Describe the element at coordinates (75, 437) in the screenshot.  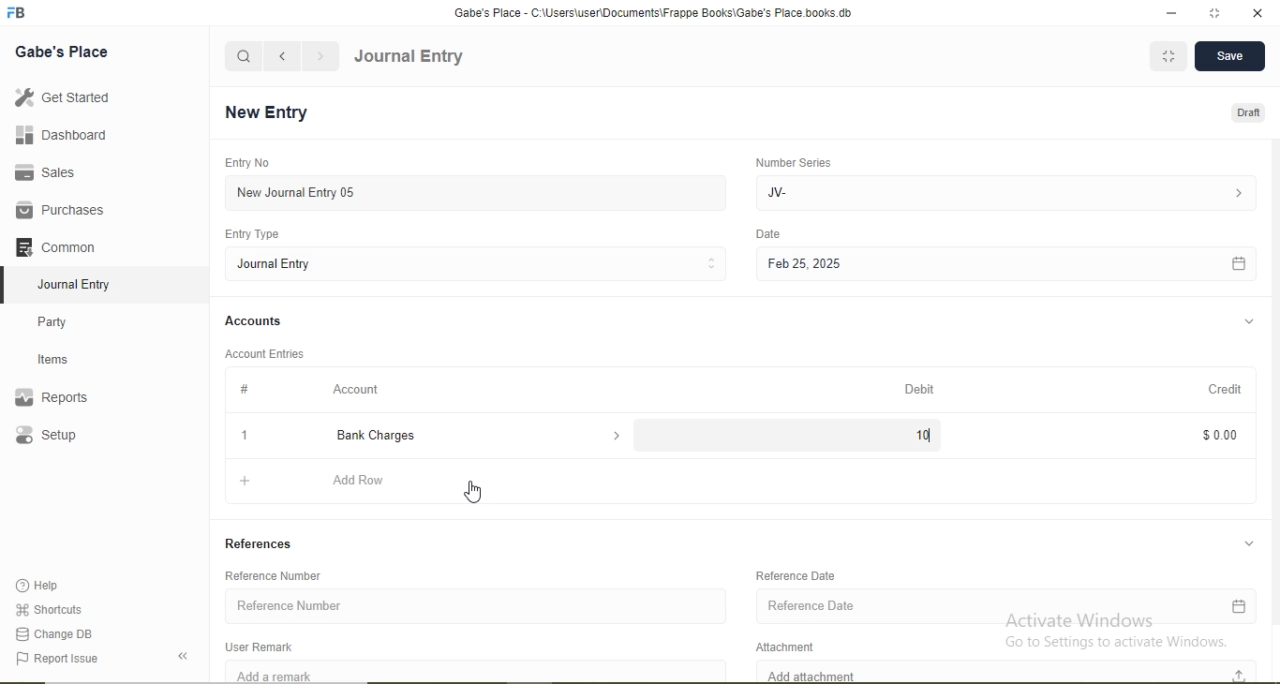
I see `Setup` at that location.